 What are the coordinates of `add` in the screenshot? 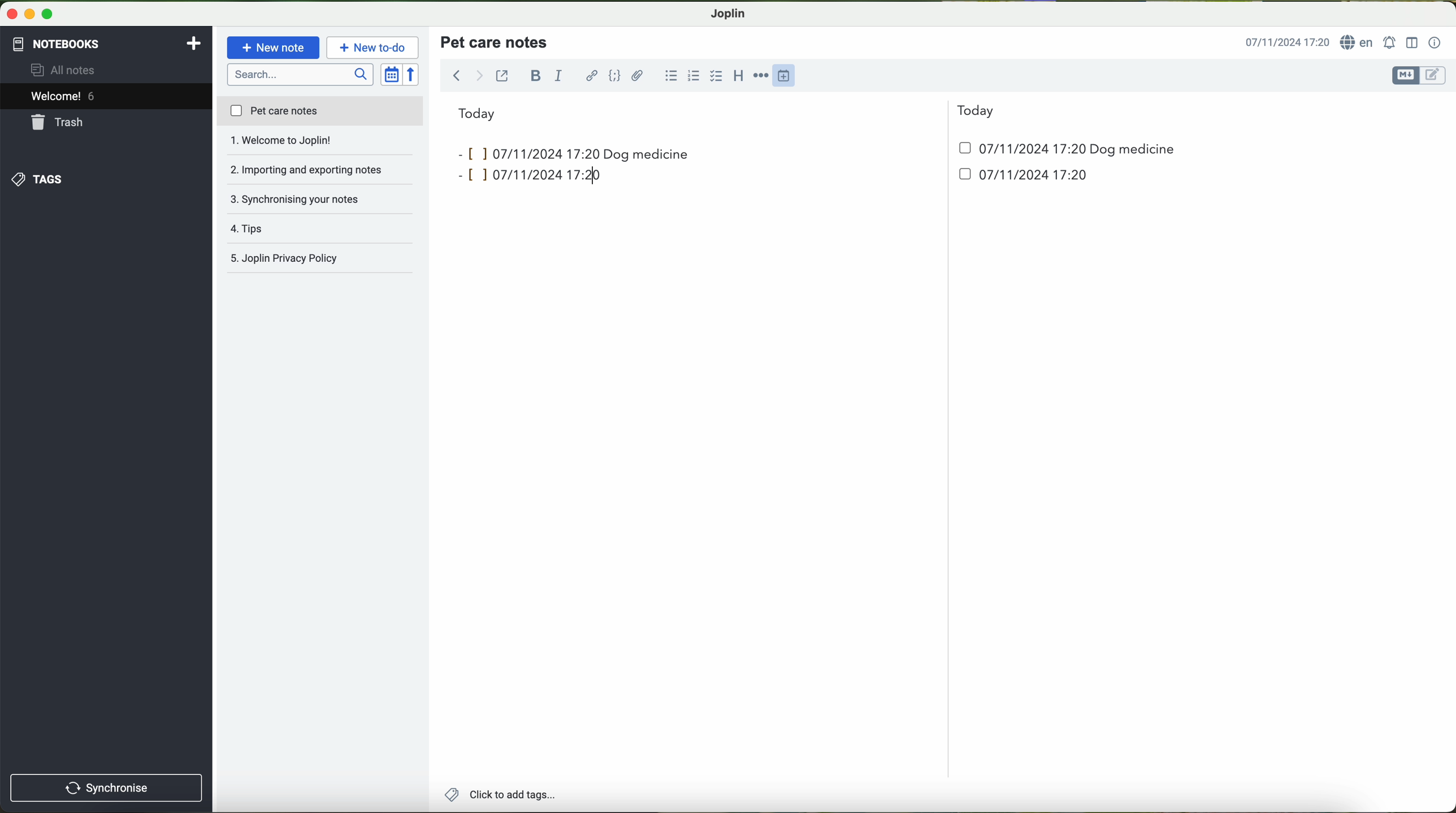 It's located at (194, 42).